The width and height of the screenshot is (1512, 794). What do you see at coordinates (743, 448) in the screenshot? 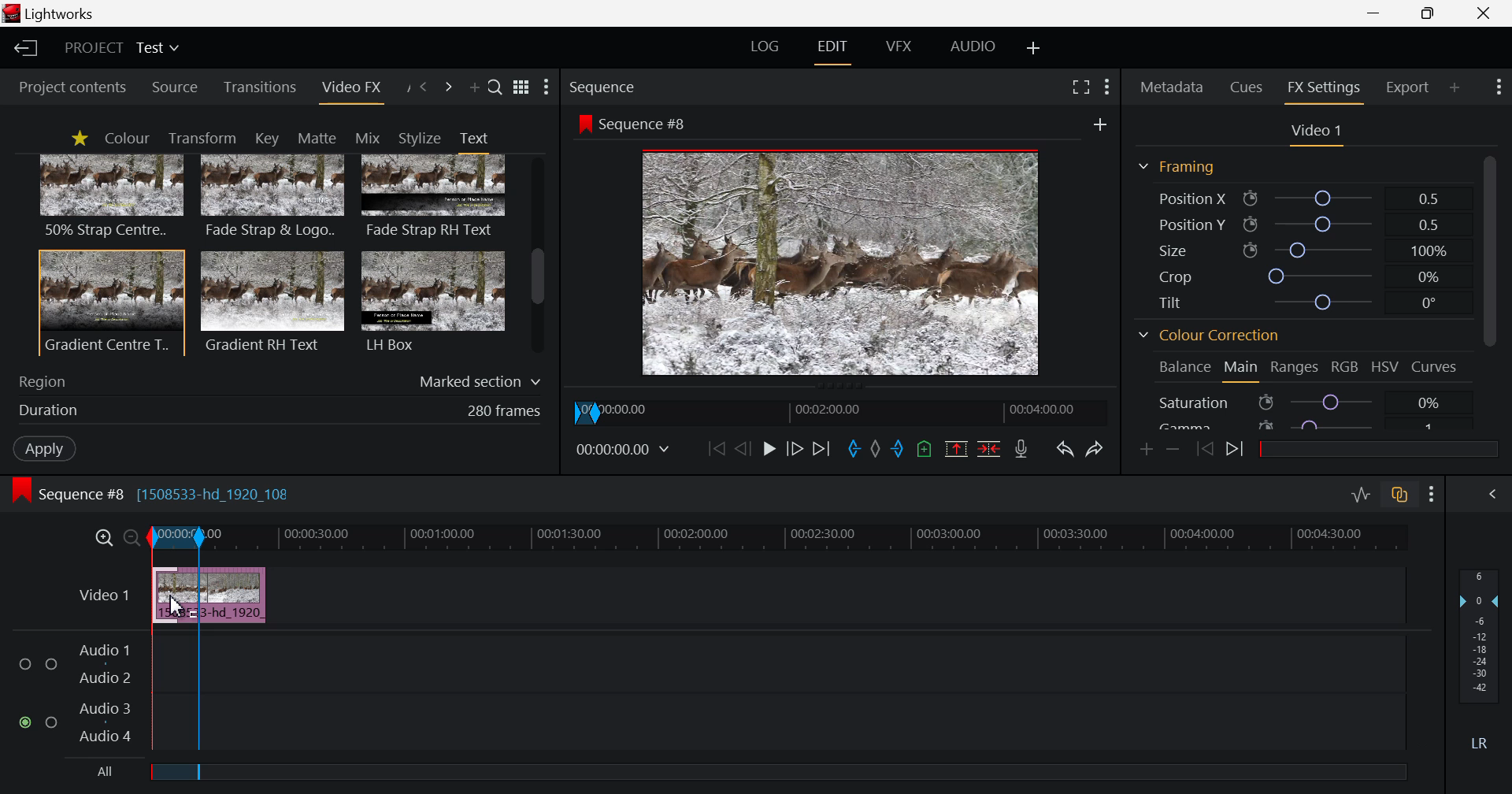
I see `Go Back` at bounding box center [743, 448].